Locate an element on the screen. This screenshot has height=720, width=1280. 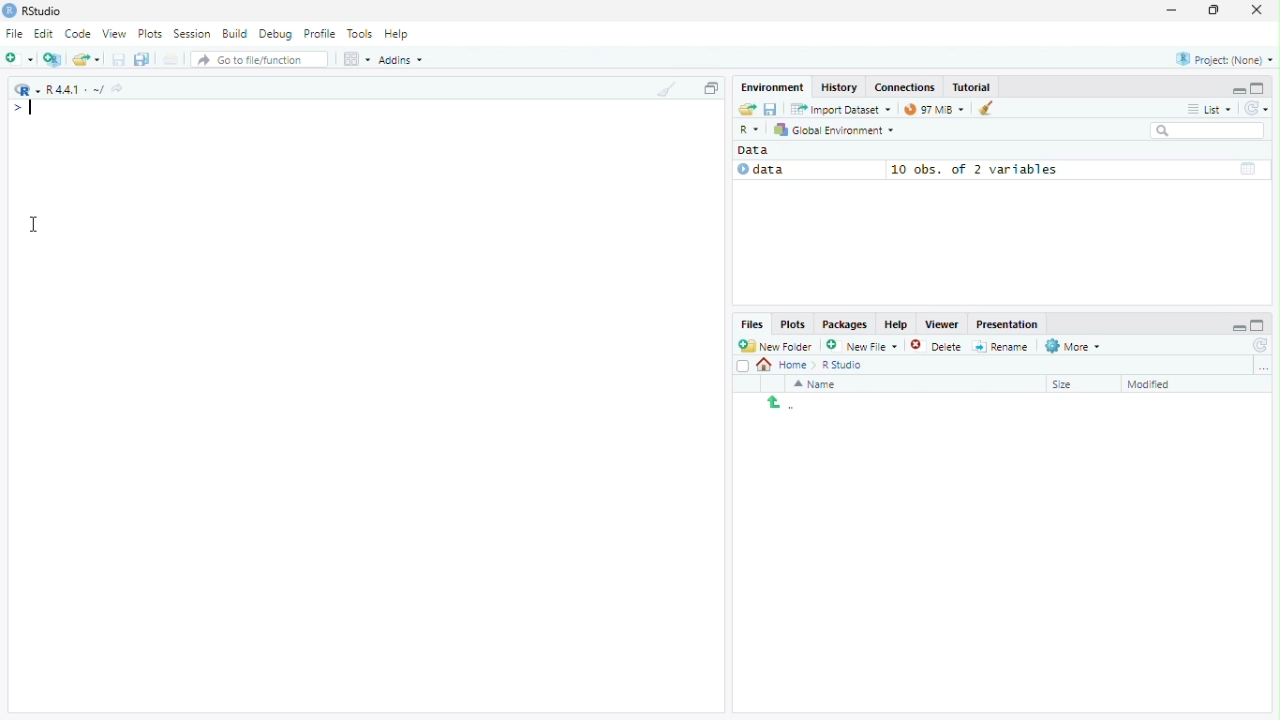
Data is located at coordinates (806, 170).